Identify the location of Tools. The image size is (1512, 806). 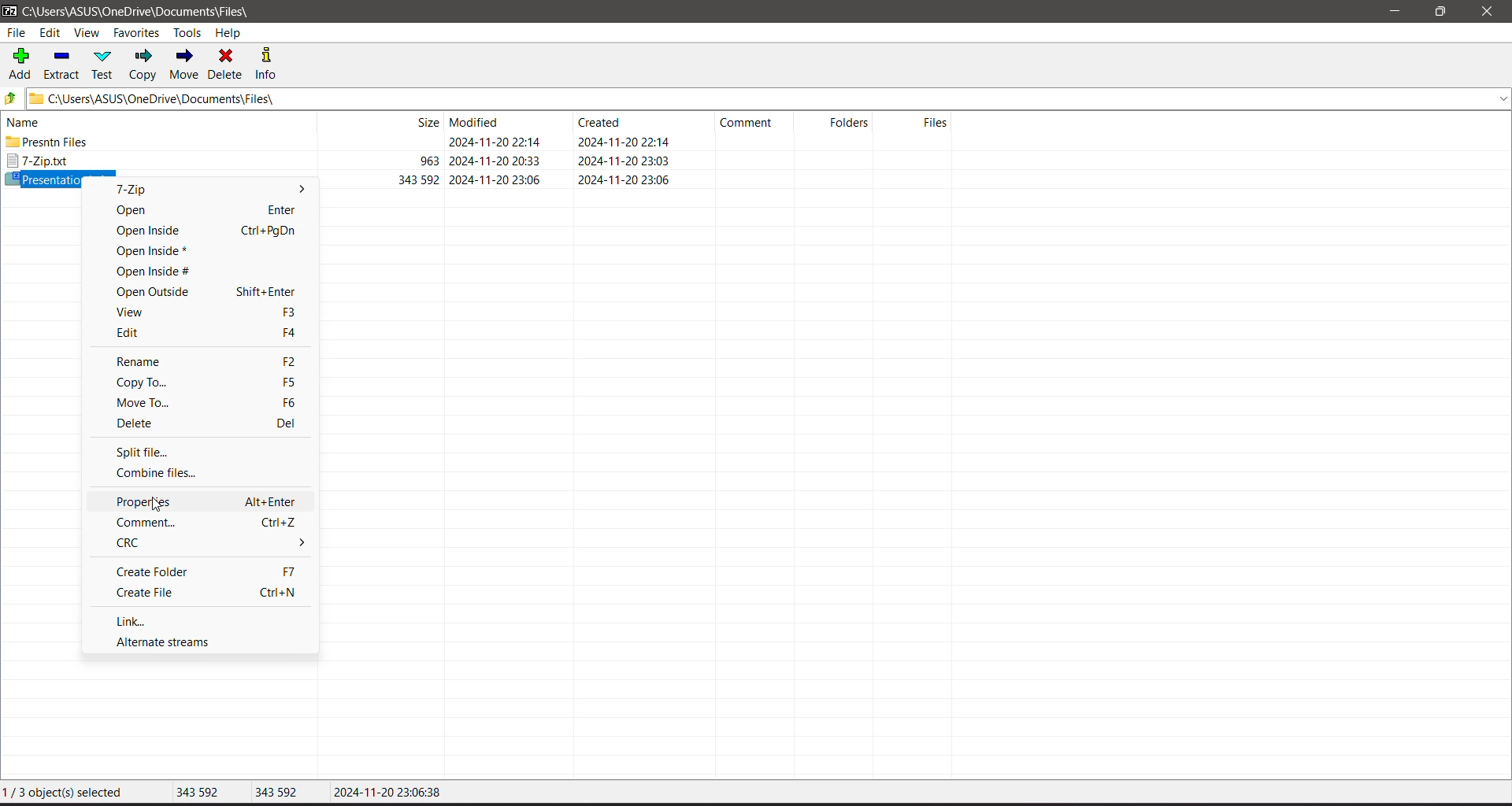
(190, 32).